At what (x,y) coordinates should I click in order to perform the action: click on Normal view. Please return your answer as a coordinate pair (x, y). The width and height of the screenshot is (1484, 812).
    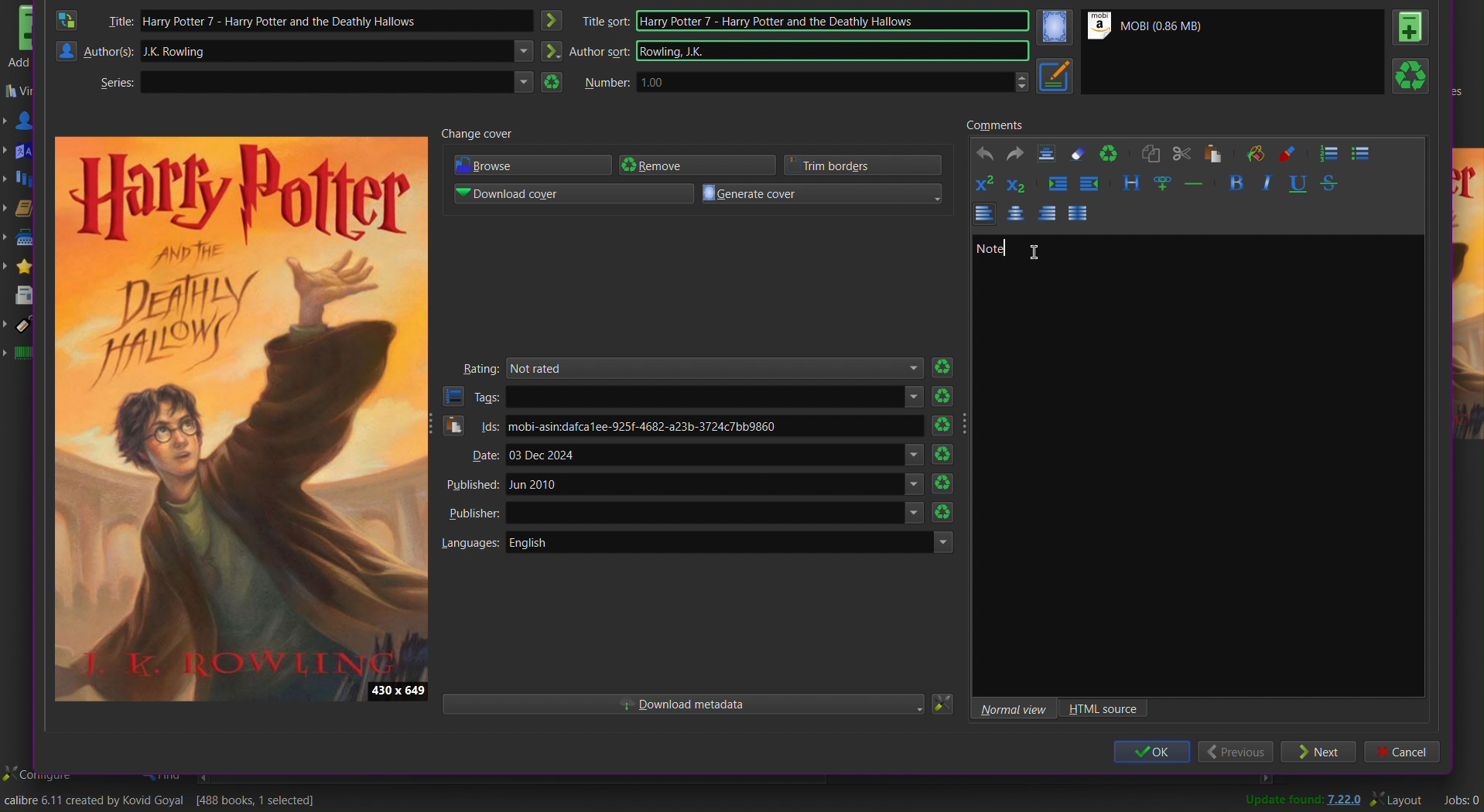
    Looking at the image, I should click on (1013, 708).